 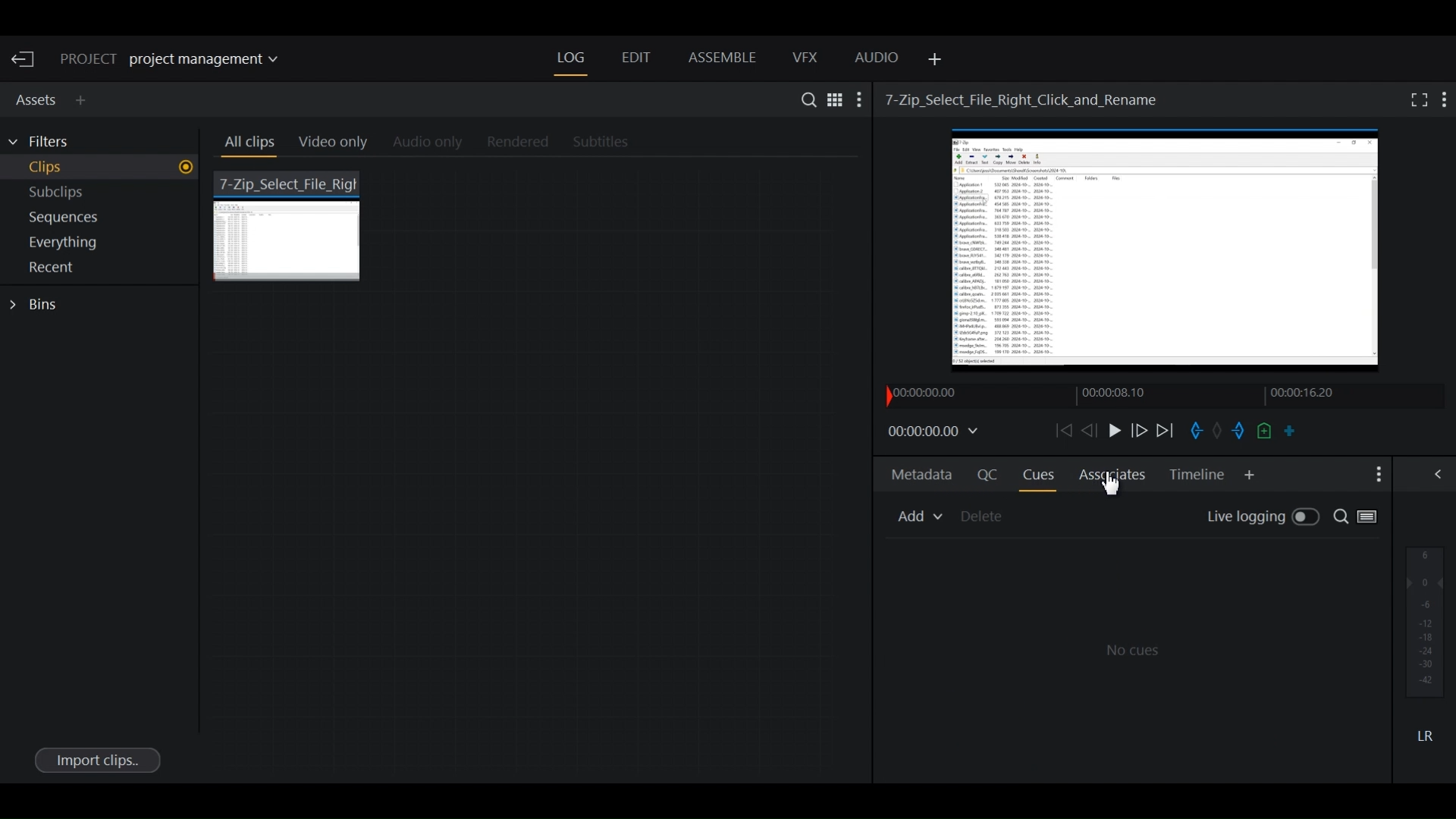 I want to click on Cues, so click(x=1038, y=475).